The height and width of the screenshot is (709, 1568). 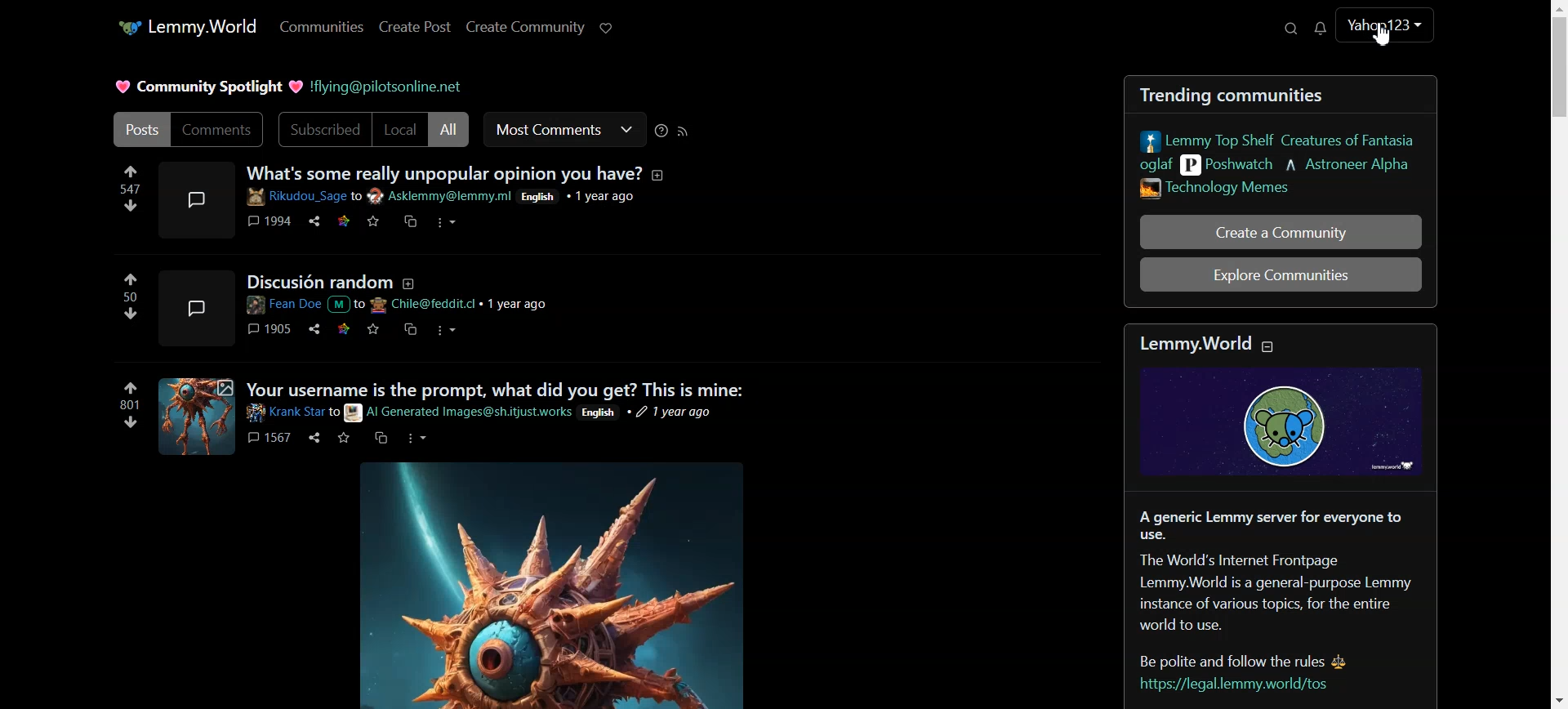 What do you see at coordinates (1278, 141) in the screenshot?
I see `Posts` at bounding box center [1278, 141].